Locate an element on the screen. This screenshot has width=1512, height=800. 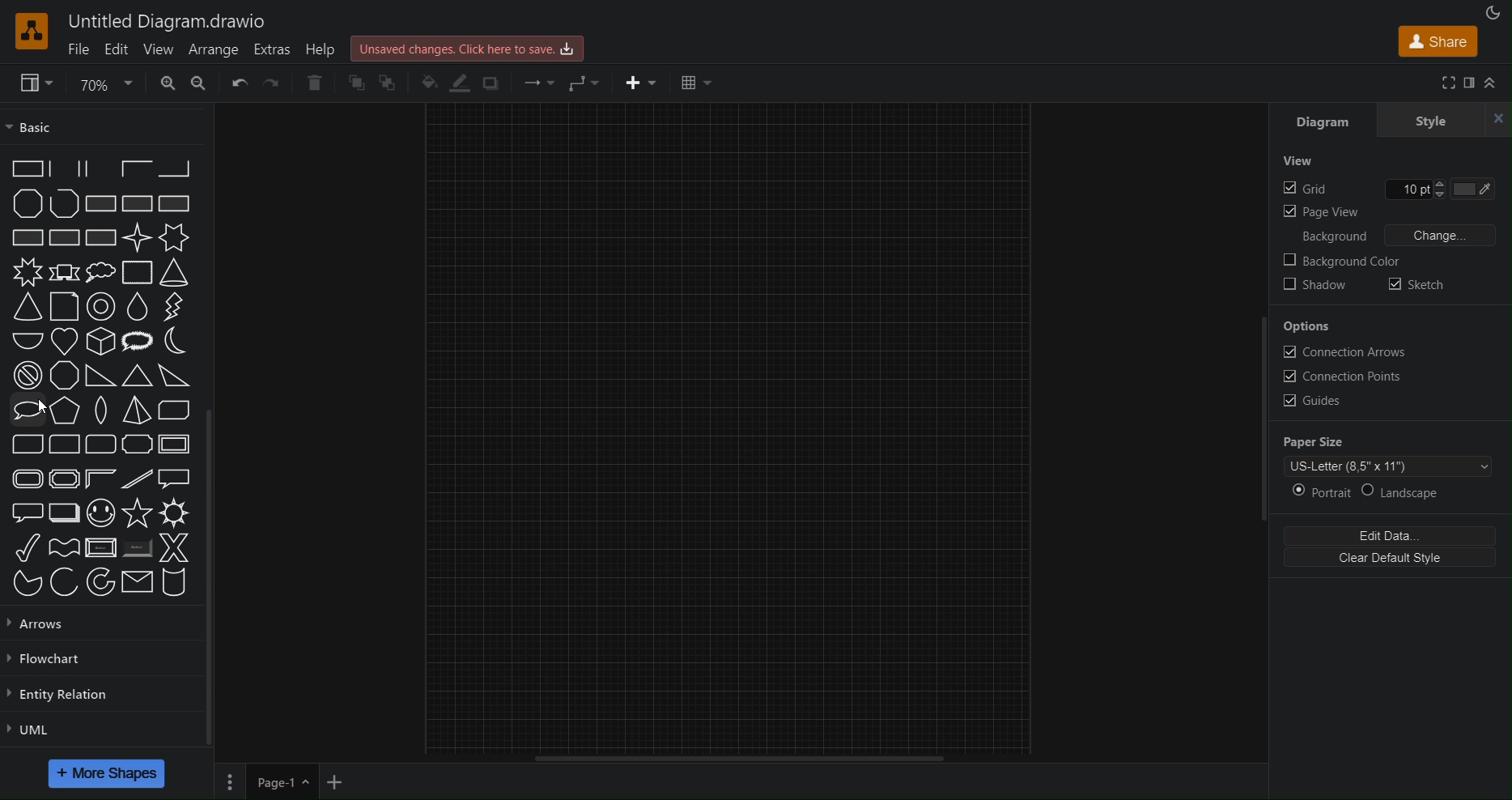
Appearance is located at coordinates (1494, 13).